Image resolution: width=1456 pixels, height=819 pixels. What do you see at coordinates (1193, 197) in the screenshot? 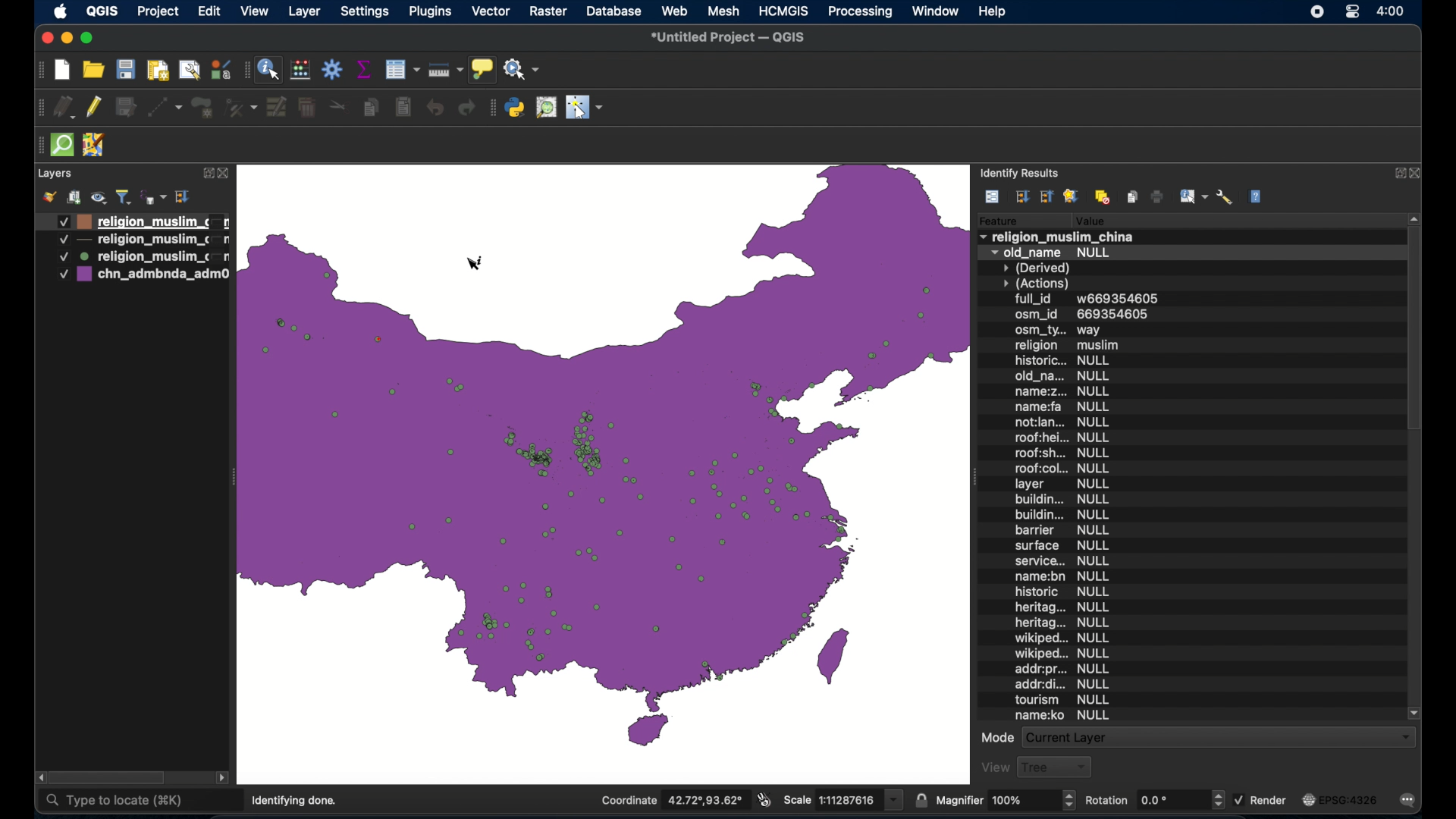
I see `identify features` at bounding box center [1193, 197].